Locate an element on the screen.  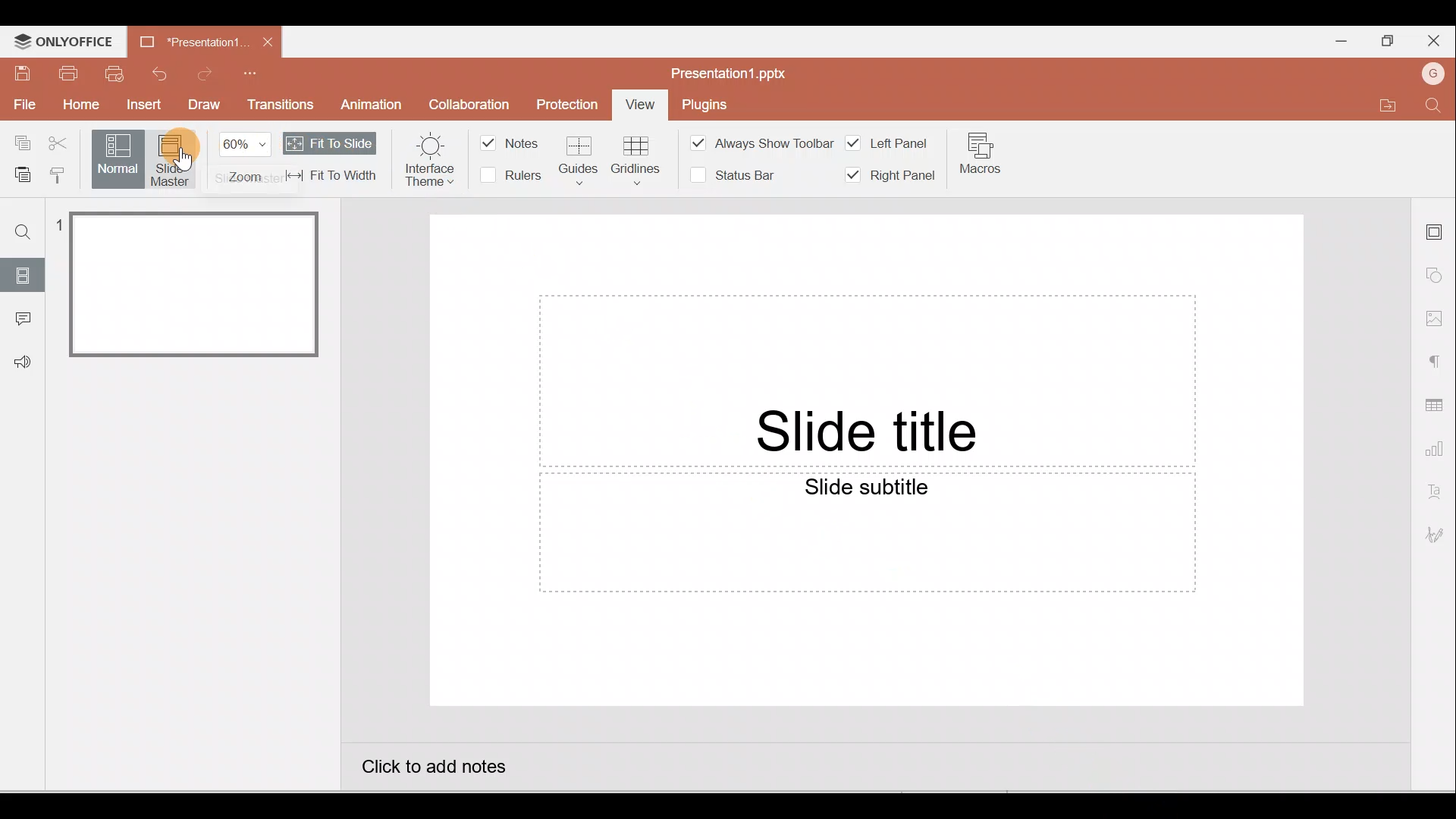
Shape settings is located at coordinates (1439, 277).